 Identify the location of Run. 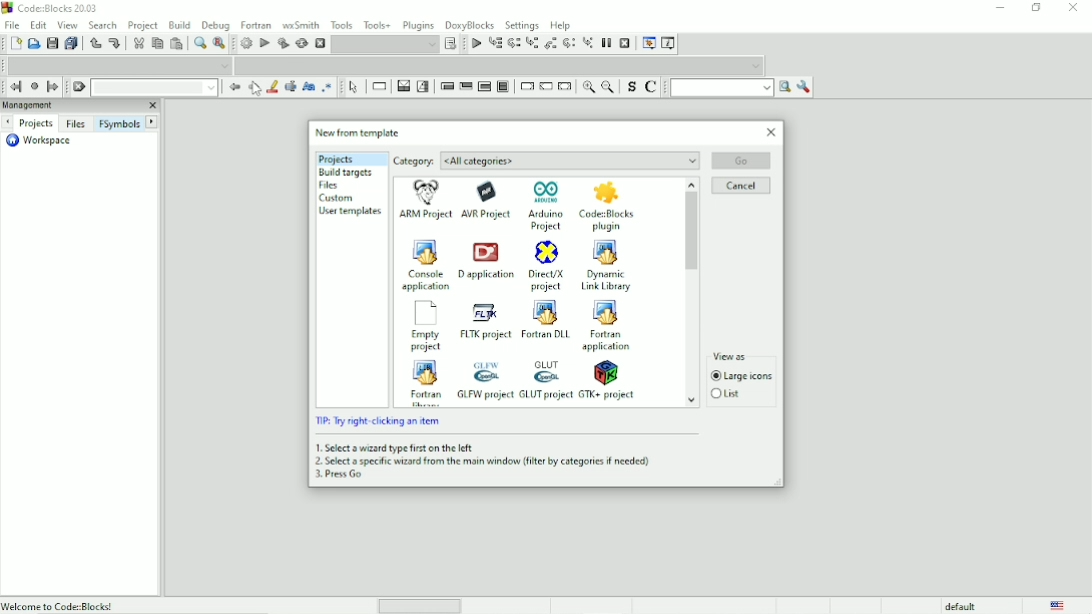
(264, 42).